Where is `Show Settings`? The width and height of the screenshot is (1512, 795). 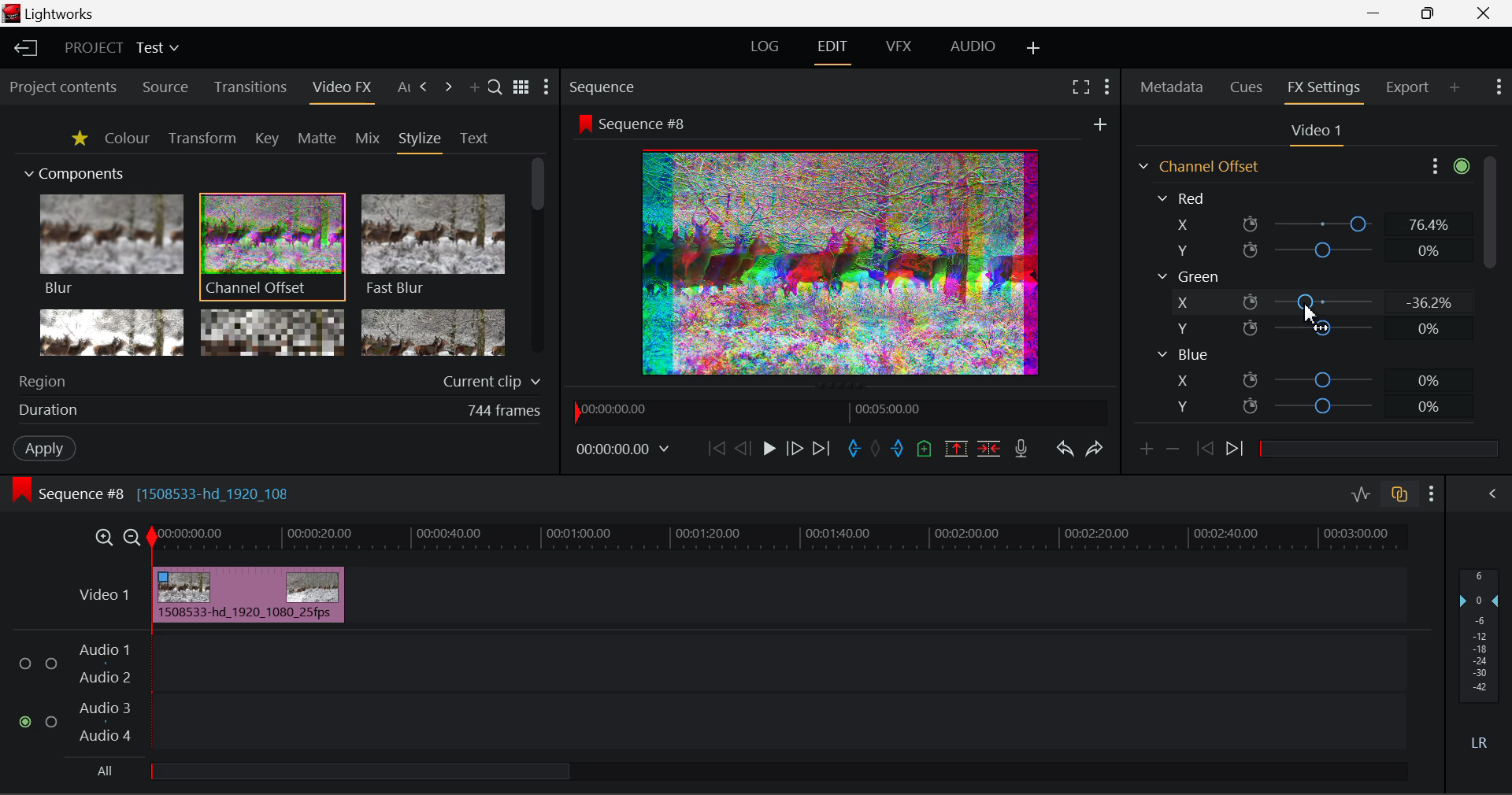 Show Settings is located at coordinates (1431, 494).